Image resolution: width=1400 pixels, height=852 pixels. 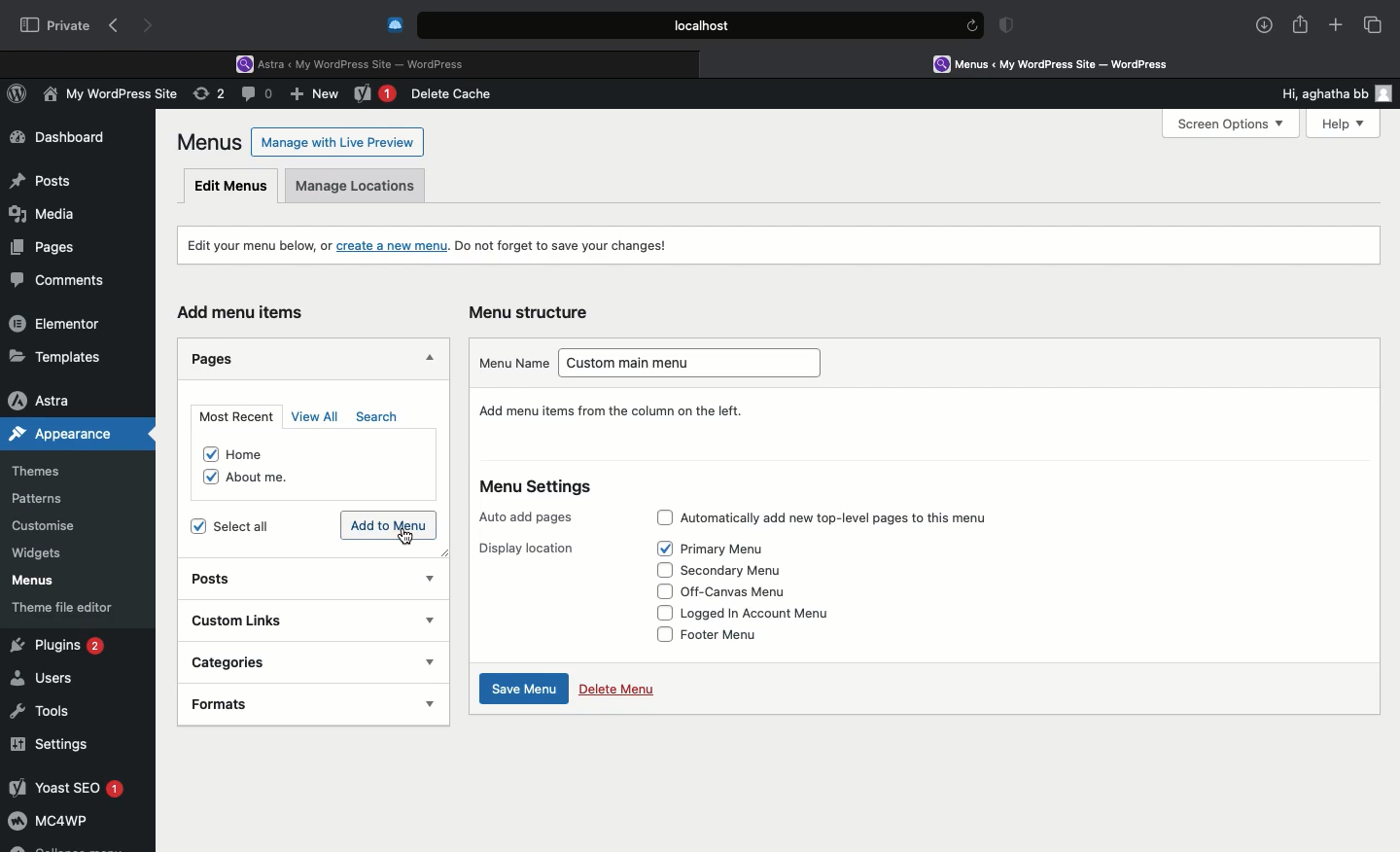 What do you see at coordinates (49, 824) in the screenshot?
I see `MC4WP` at bounding box center [49, 824].